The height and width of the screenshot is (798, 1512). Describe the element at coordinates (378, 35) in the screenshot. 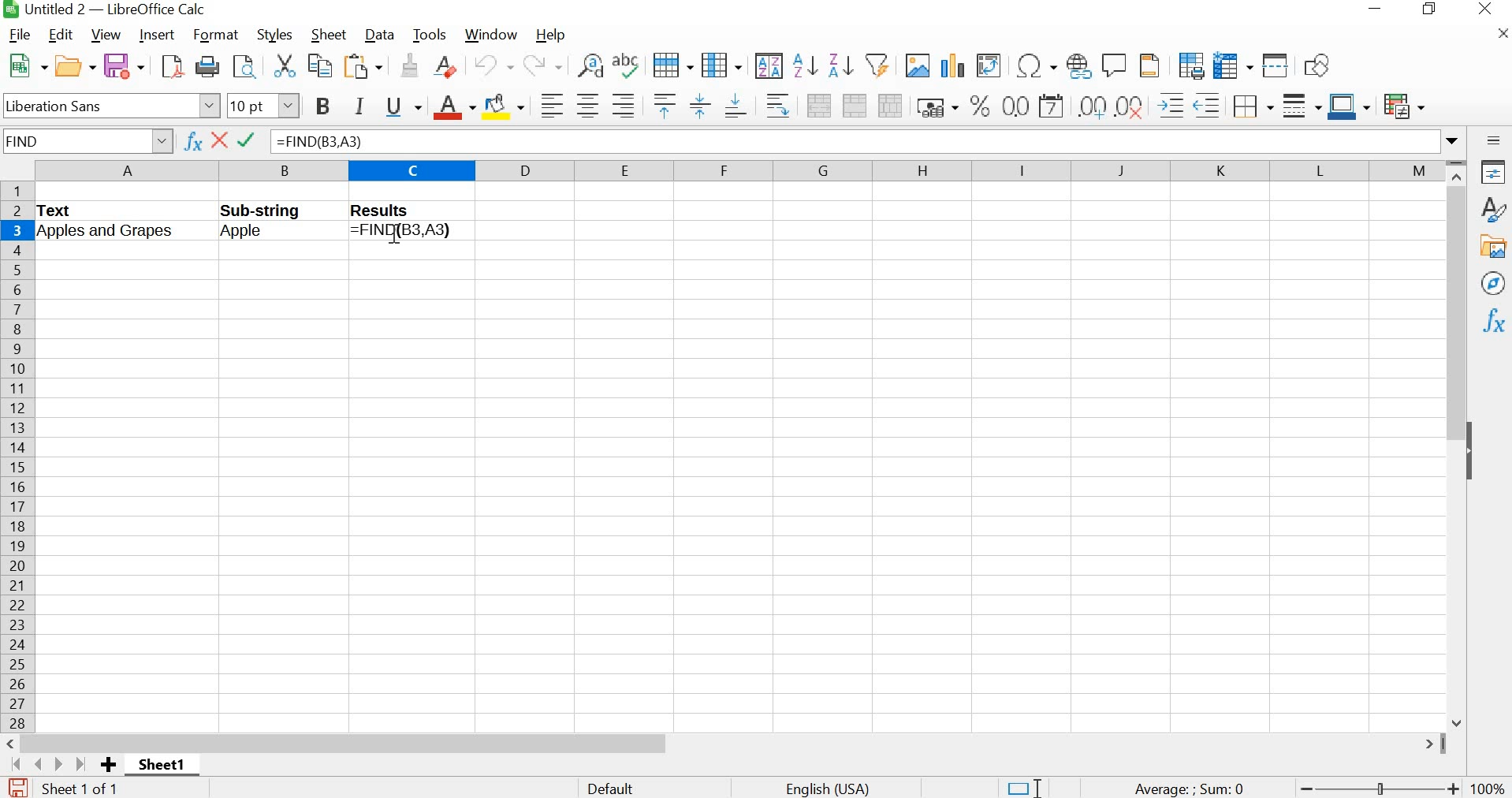

I see `data` at that location.